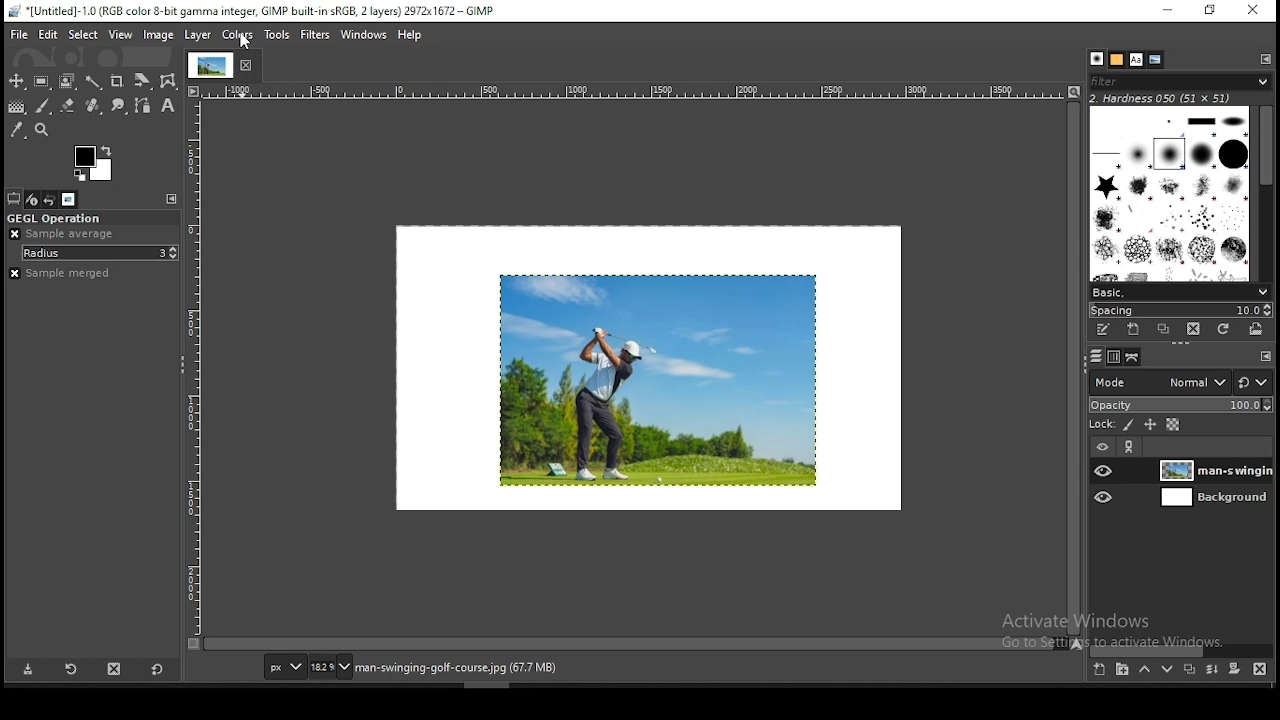 Image resolution: width=1280 pixels, height=720 pixels. Describe the element at coordinates (120, 35) in the screenshot. I see `view` at that location.